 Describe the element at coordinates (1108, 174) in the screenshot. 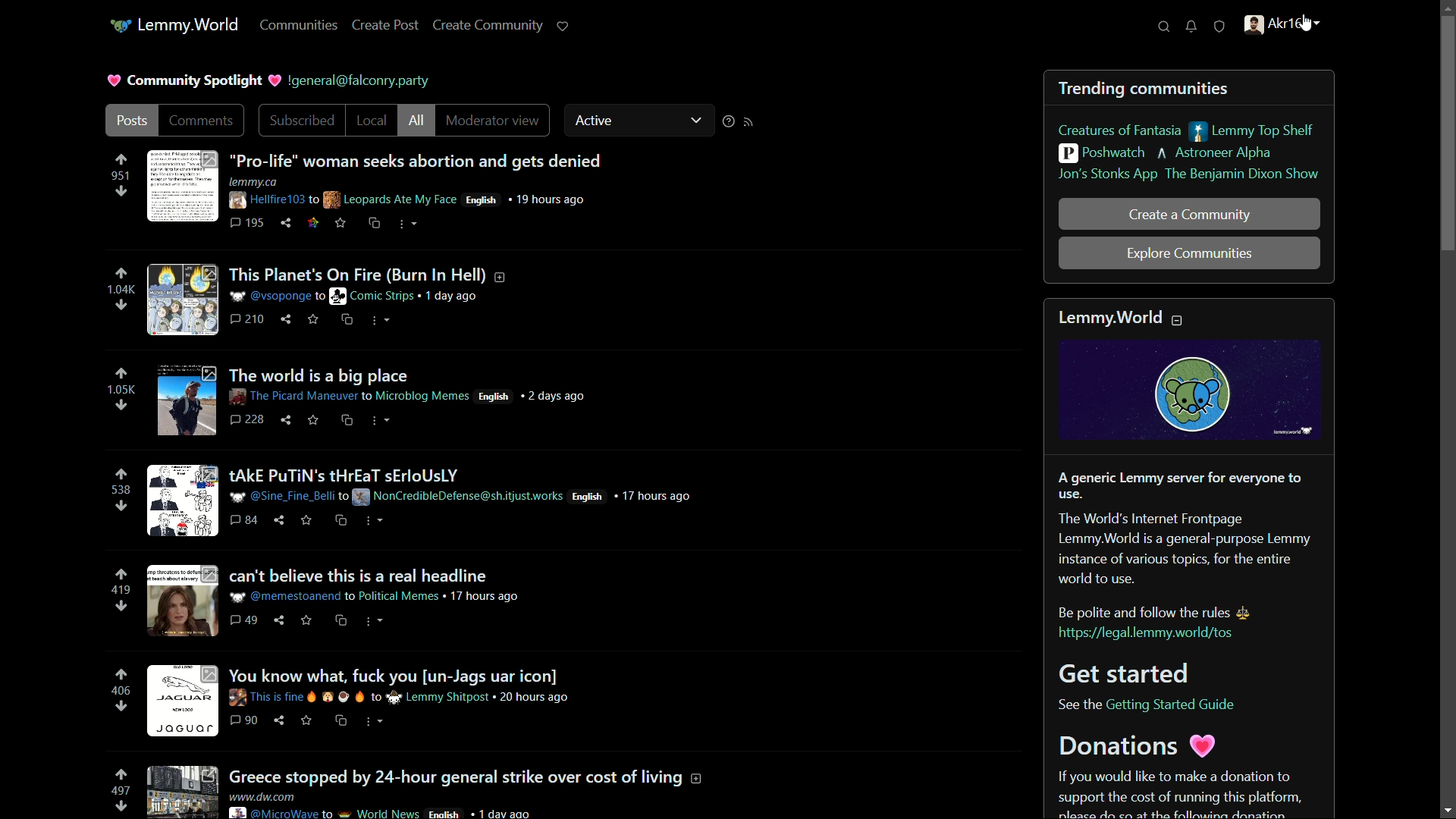

I see `jon's stonks app` at that location.